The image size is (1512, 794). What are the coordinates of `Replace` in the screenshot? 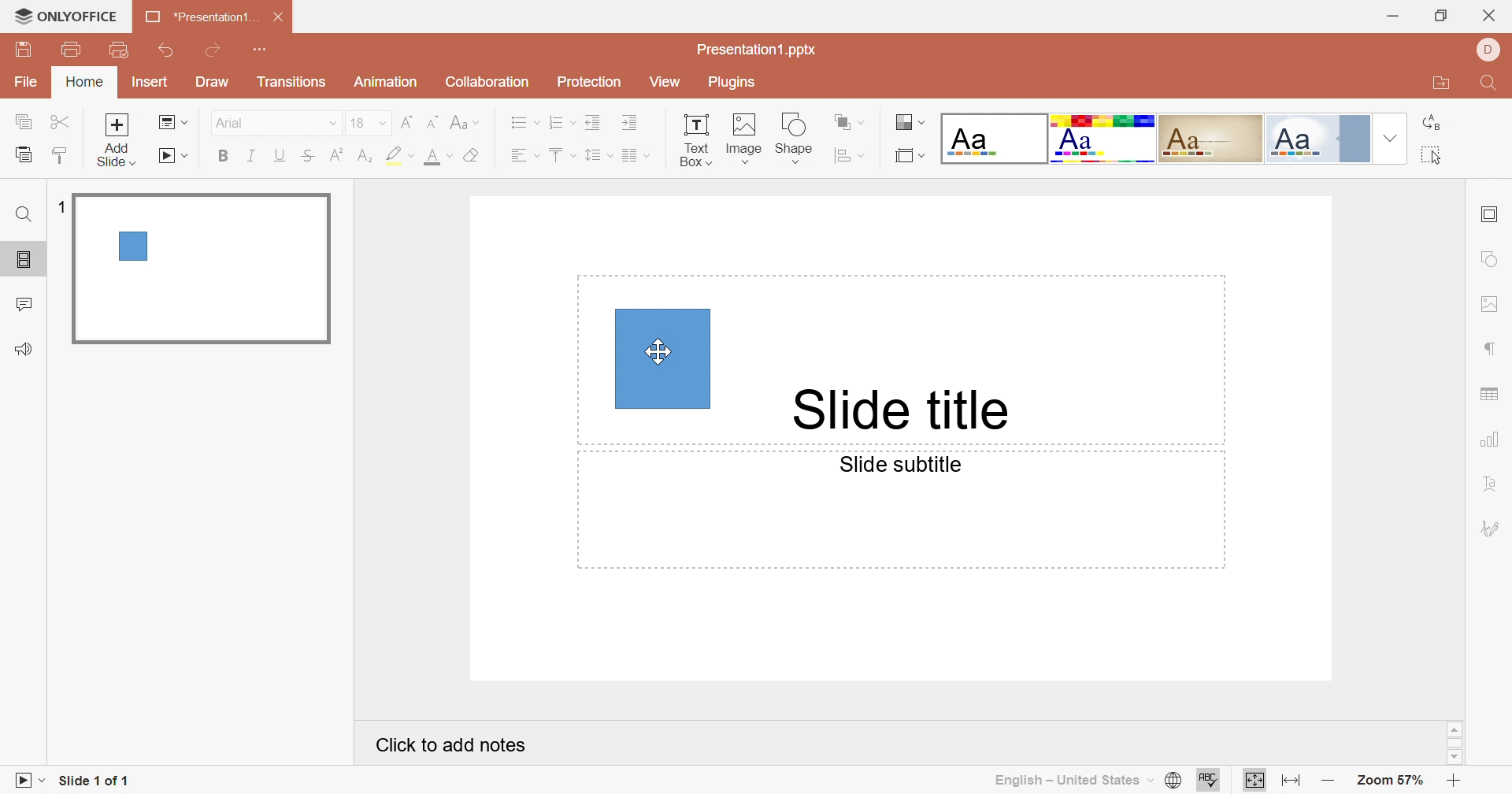 It's located at (1430, 118).